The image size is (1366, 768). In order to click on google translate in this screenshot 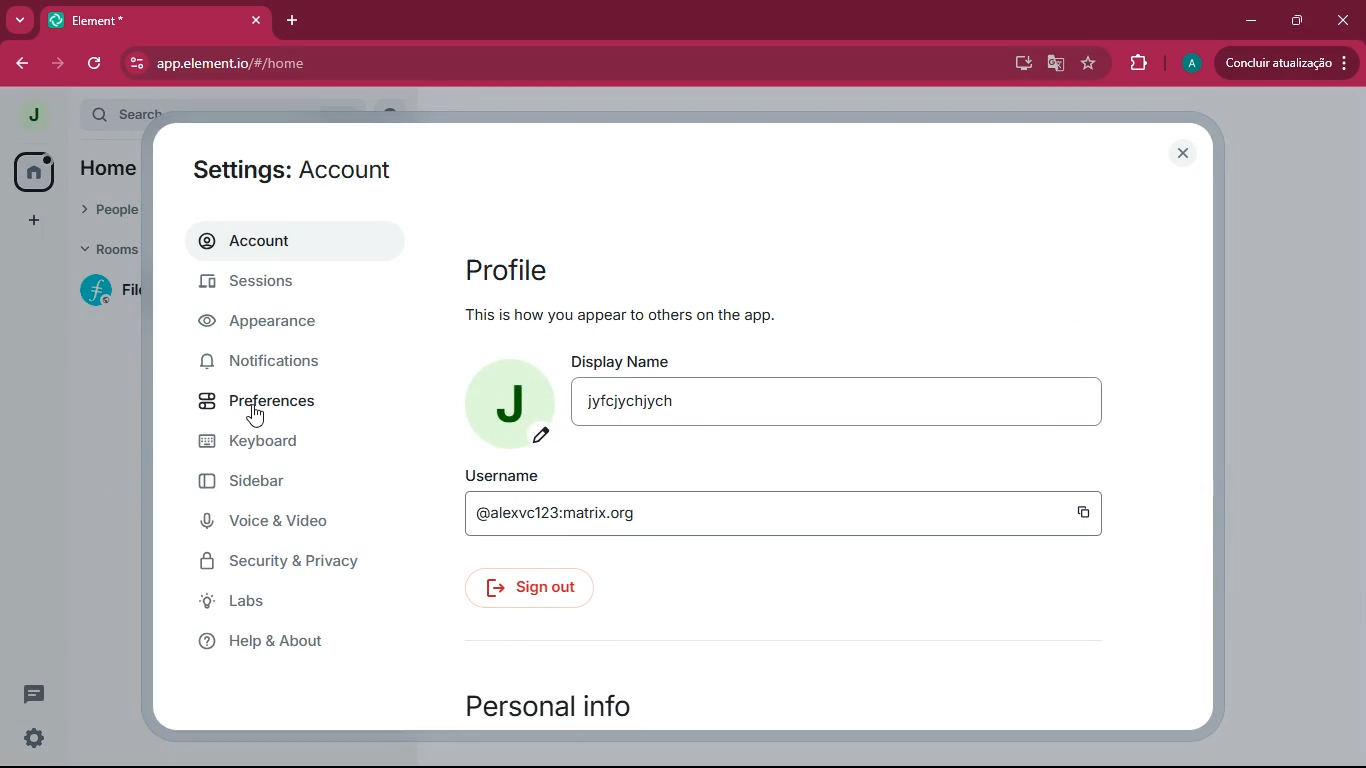, I will do `click(1053, 65)`.